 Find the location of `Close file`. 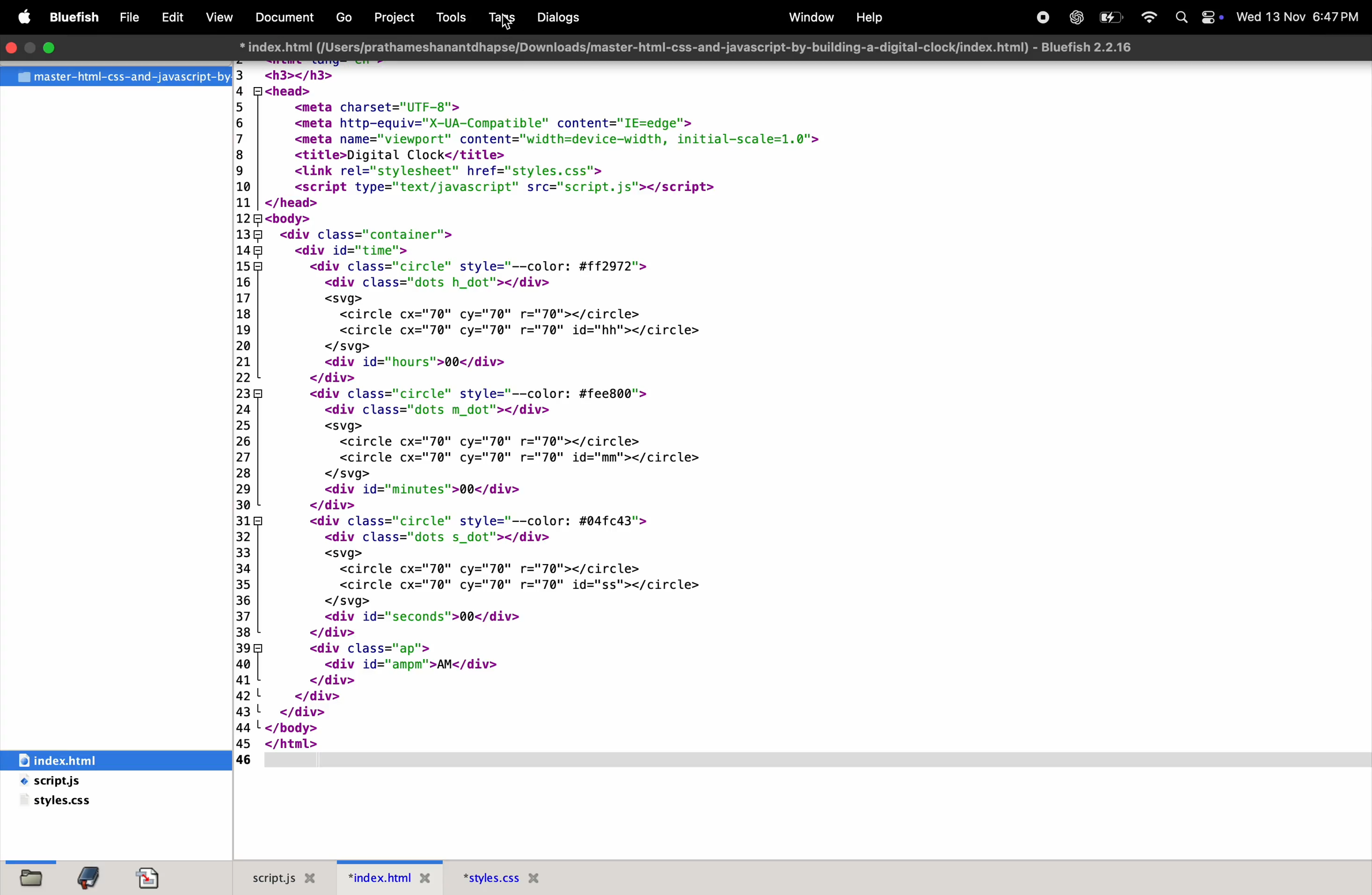

Close file is located at coordinates (314, 878).